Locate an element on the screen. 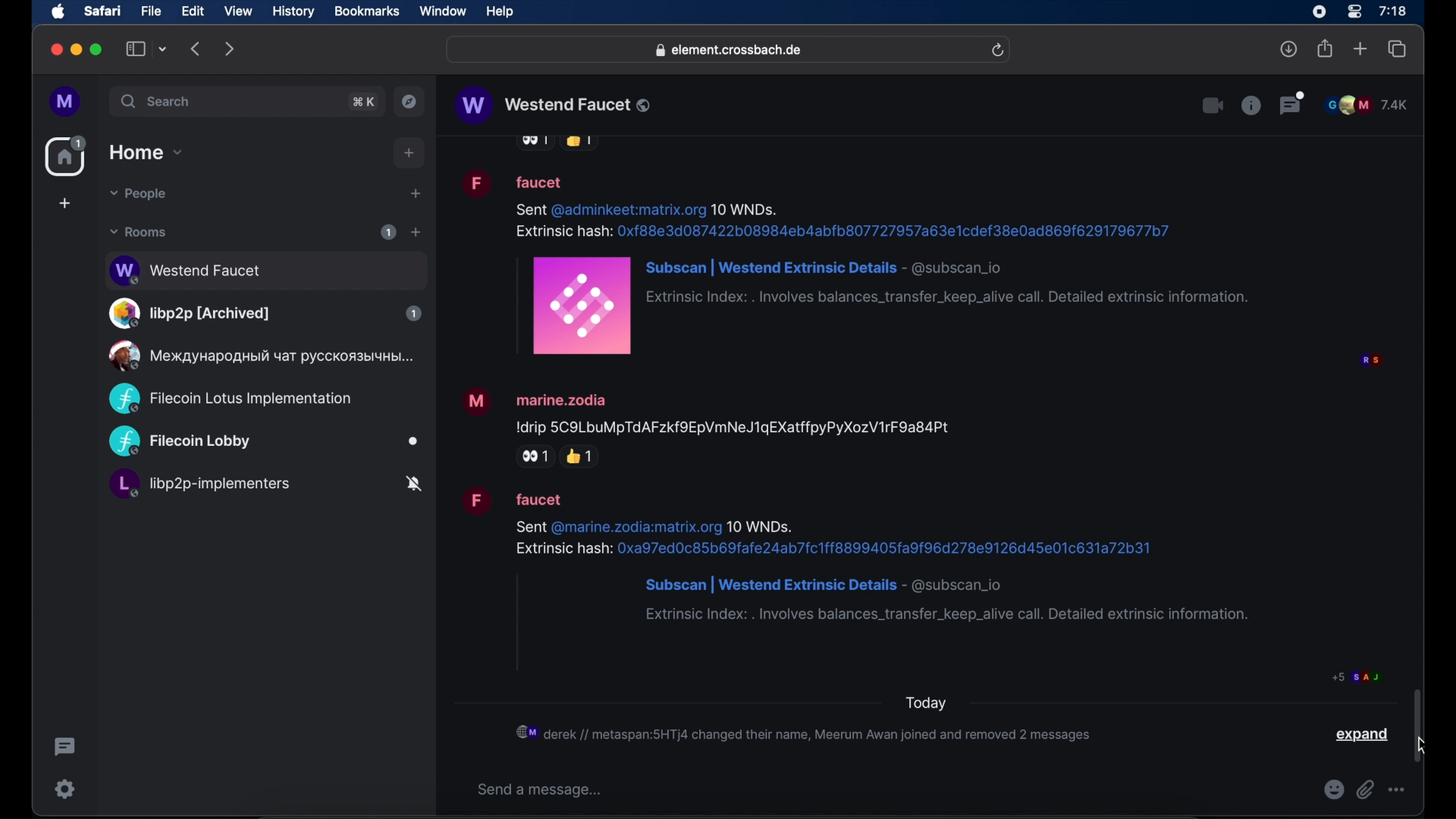 The image size is (1456, 819). message is located at coordinates (853, 262).